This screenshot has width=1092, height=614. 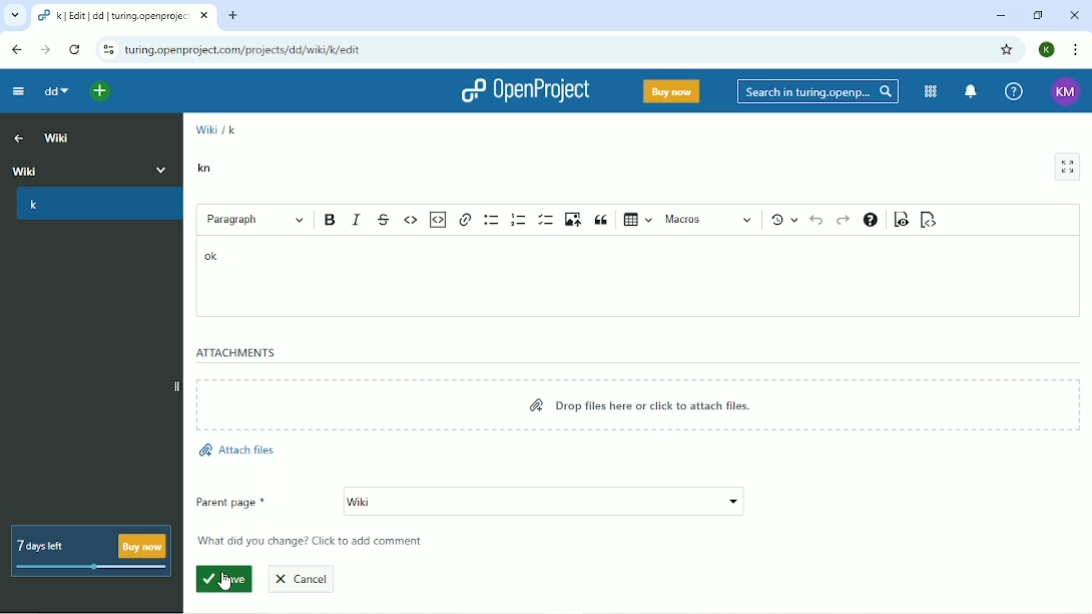 I want to click on Block quote, so click(x=600, y=220).